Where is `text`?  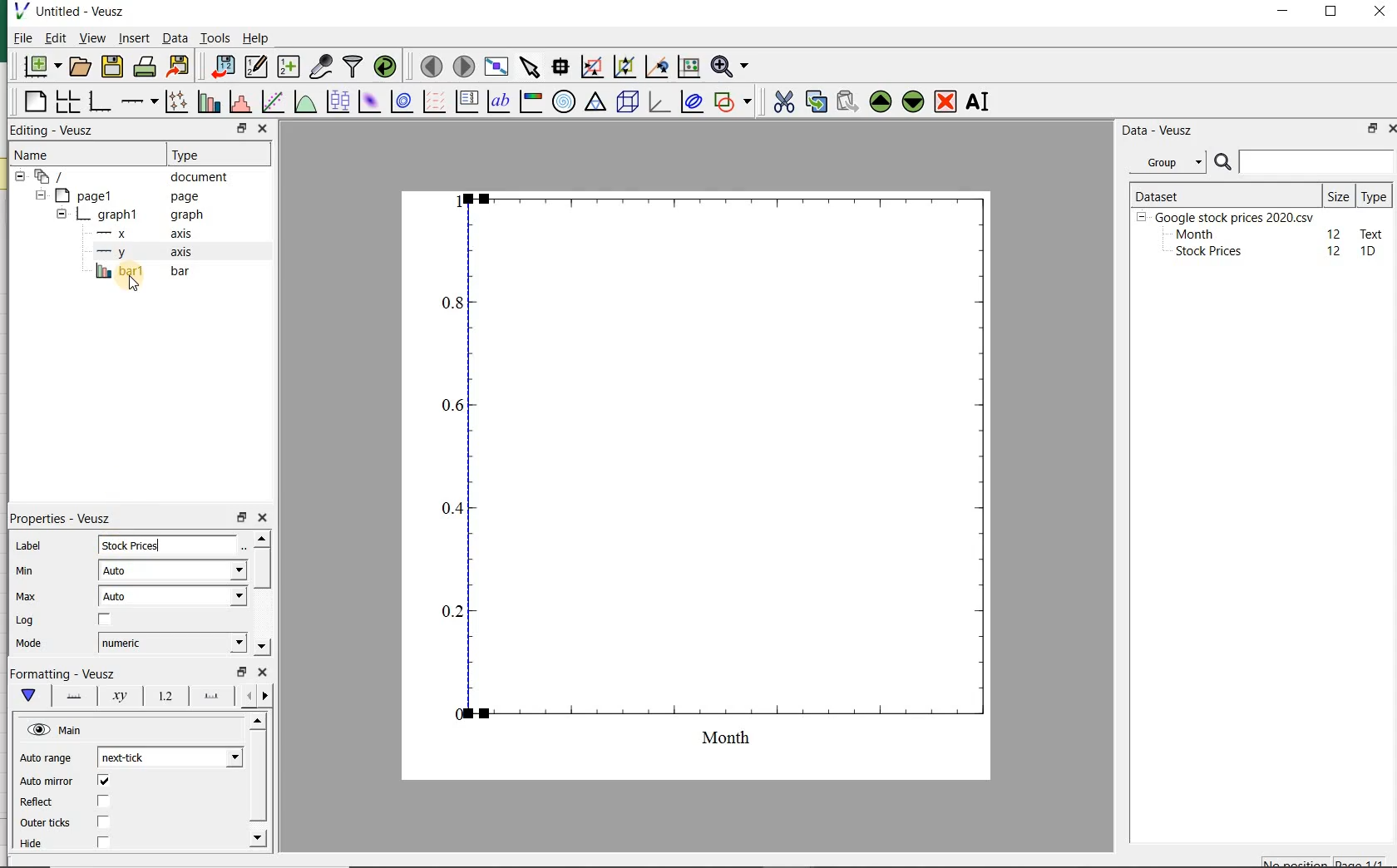
text is located at coordinates (1369, 233).